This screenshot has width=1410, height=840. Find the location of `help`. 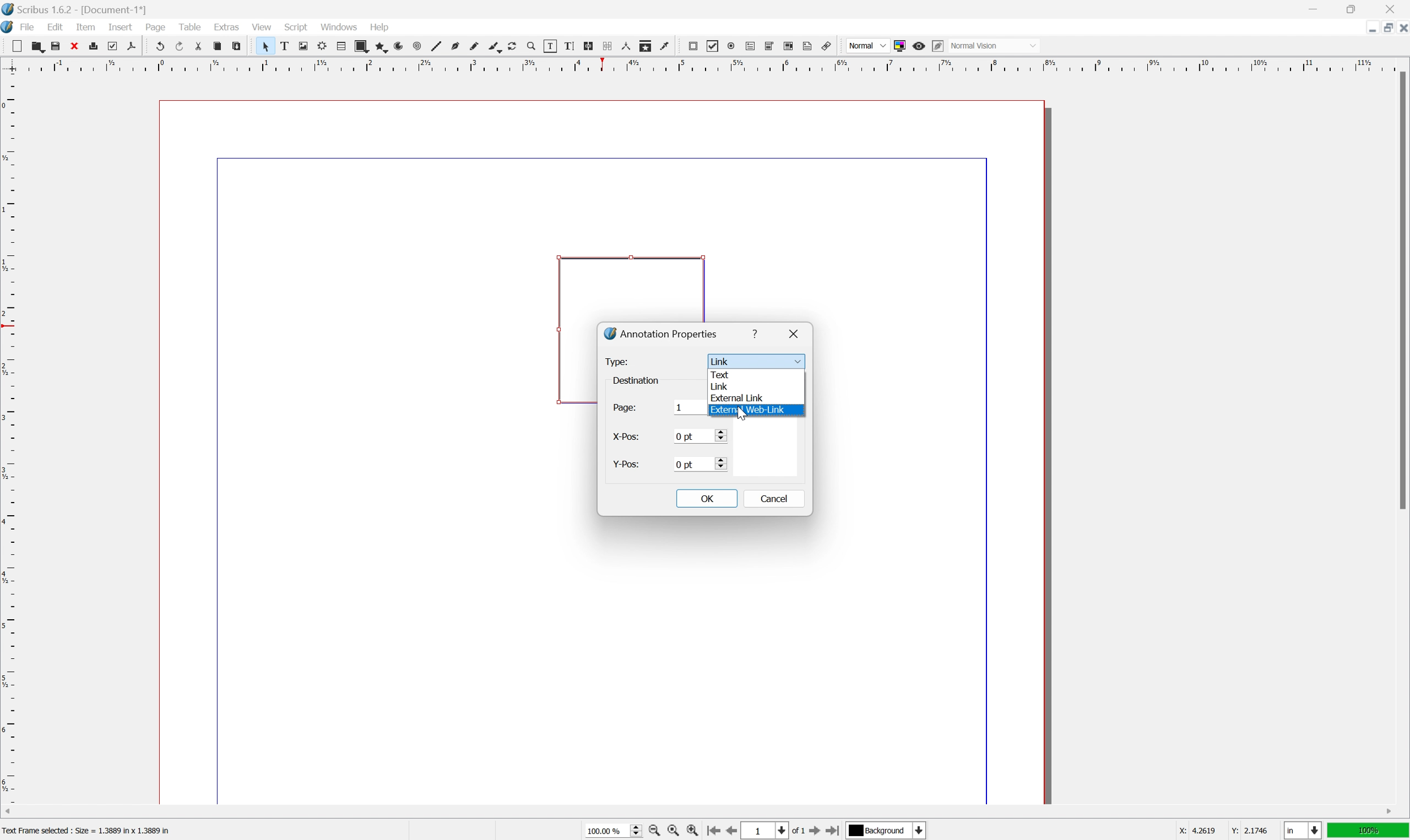

help is located at coordinates (757, 333).